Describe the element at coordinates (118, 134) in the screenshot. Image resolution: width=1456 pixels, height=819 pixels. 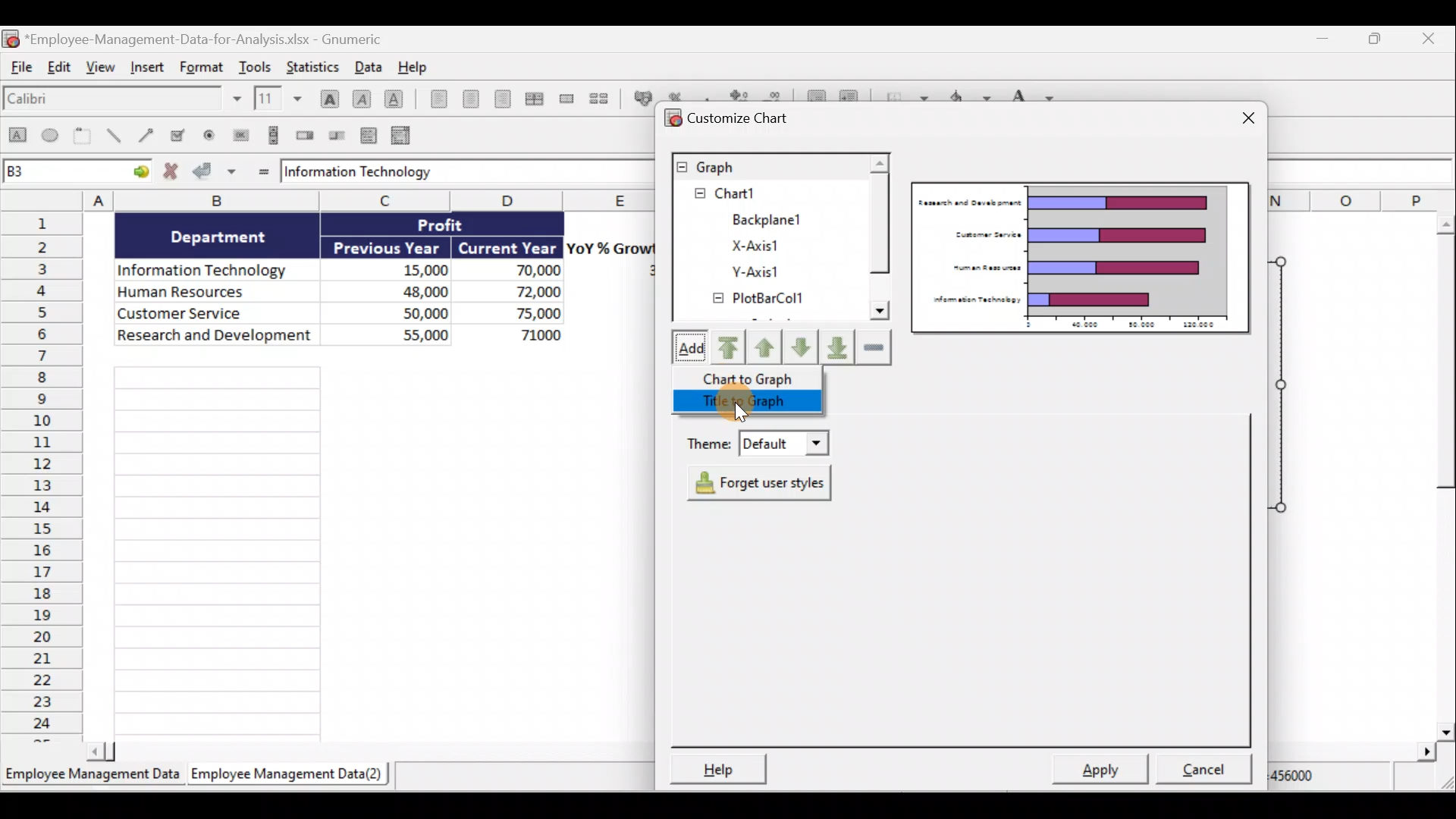
I see `Create a line object` at that location.